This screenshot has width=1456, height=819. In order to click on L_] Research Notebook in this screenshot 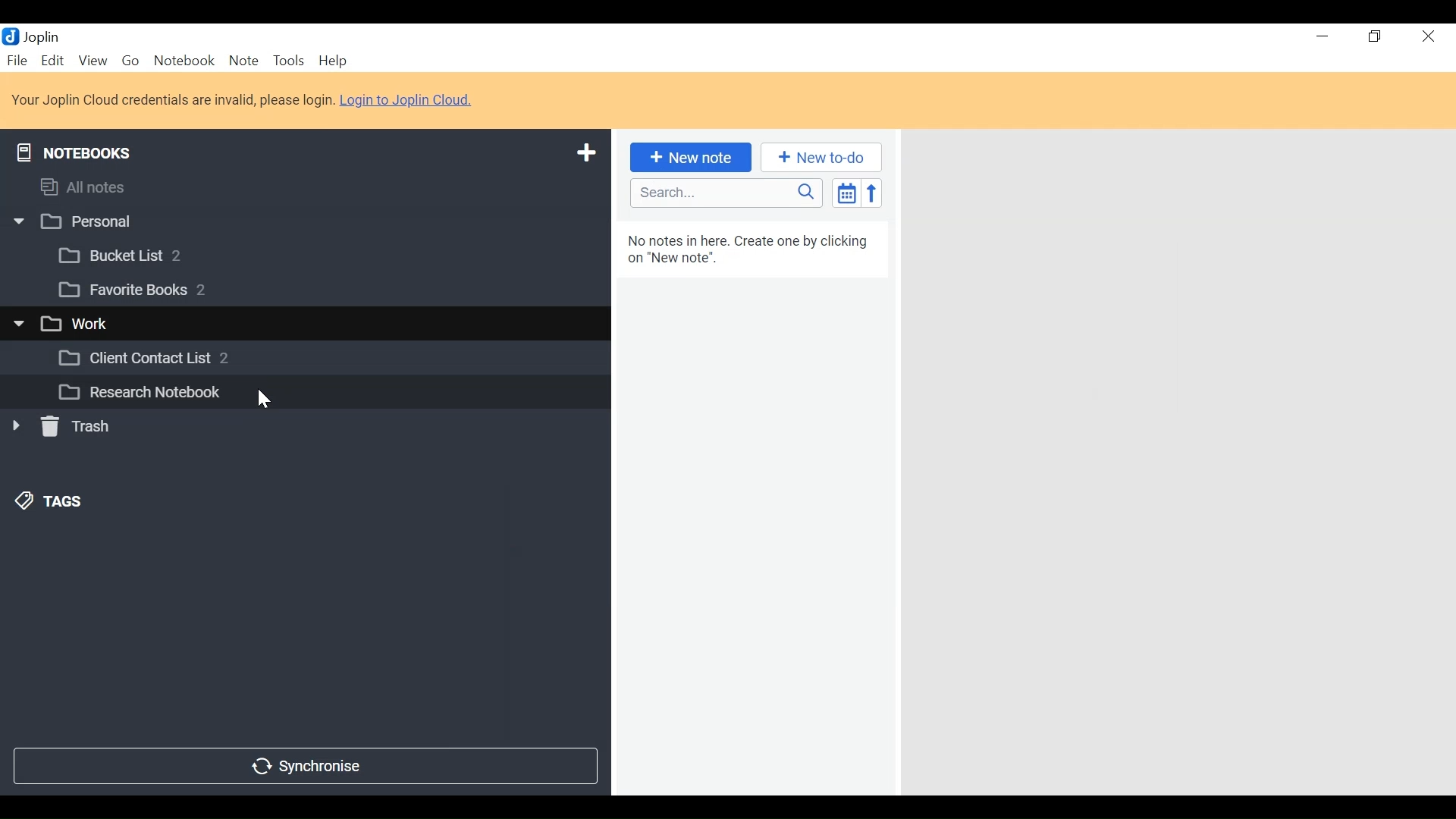, I will do `click(138, 393)`.